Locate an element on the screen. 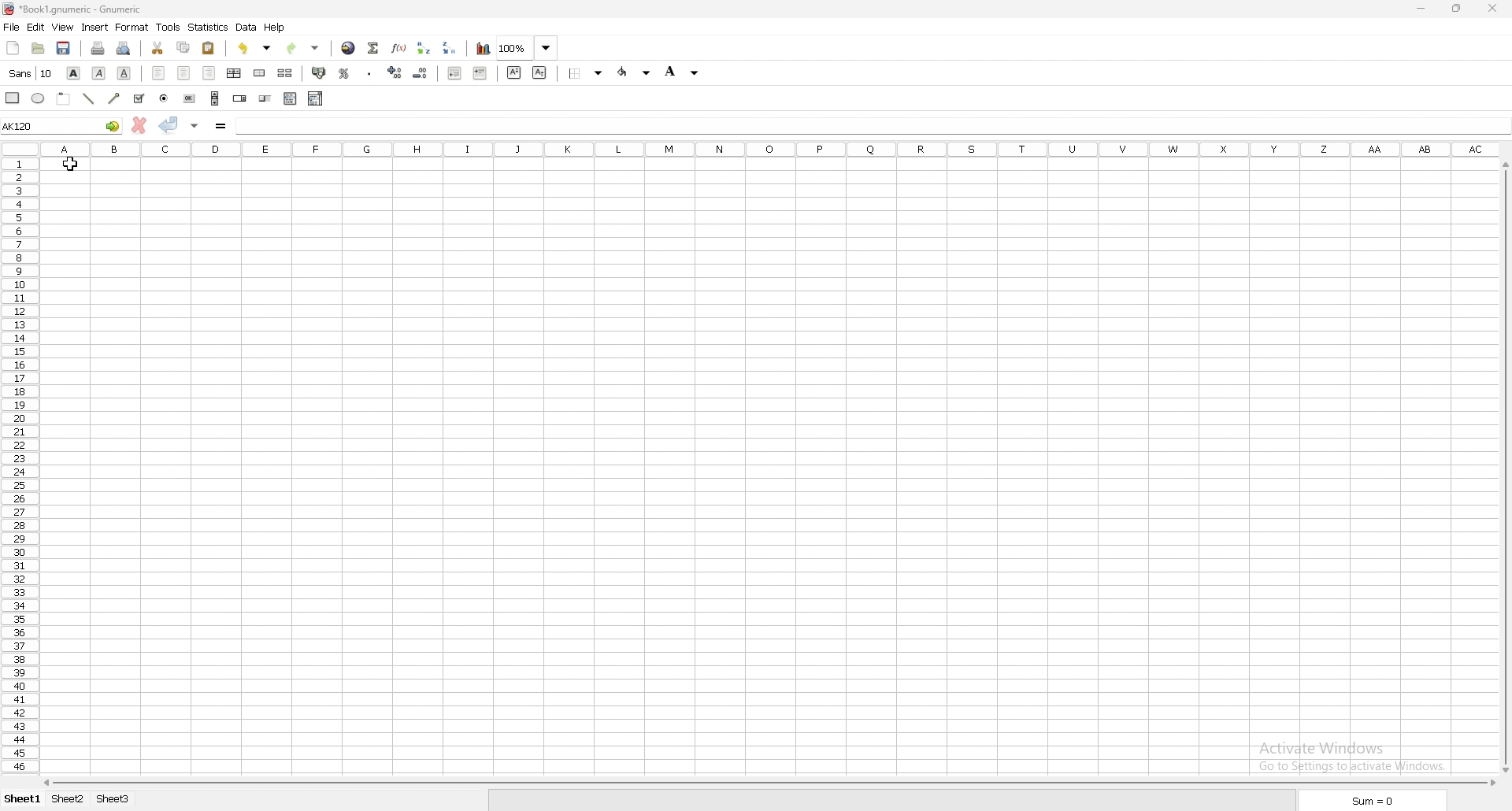 The height and width of the screenshot is (811, 1512). rows is located at coordinates (17, 466).